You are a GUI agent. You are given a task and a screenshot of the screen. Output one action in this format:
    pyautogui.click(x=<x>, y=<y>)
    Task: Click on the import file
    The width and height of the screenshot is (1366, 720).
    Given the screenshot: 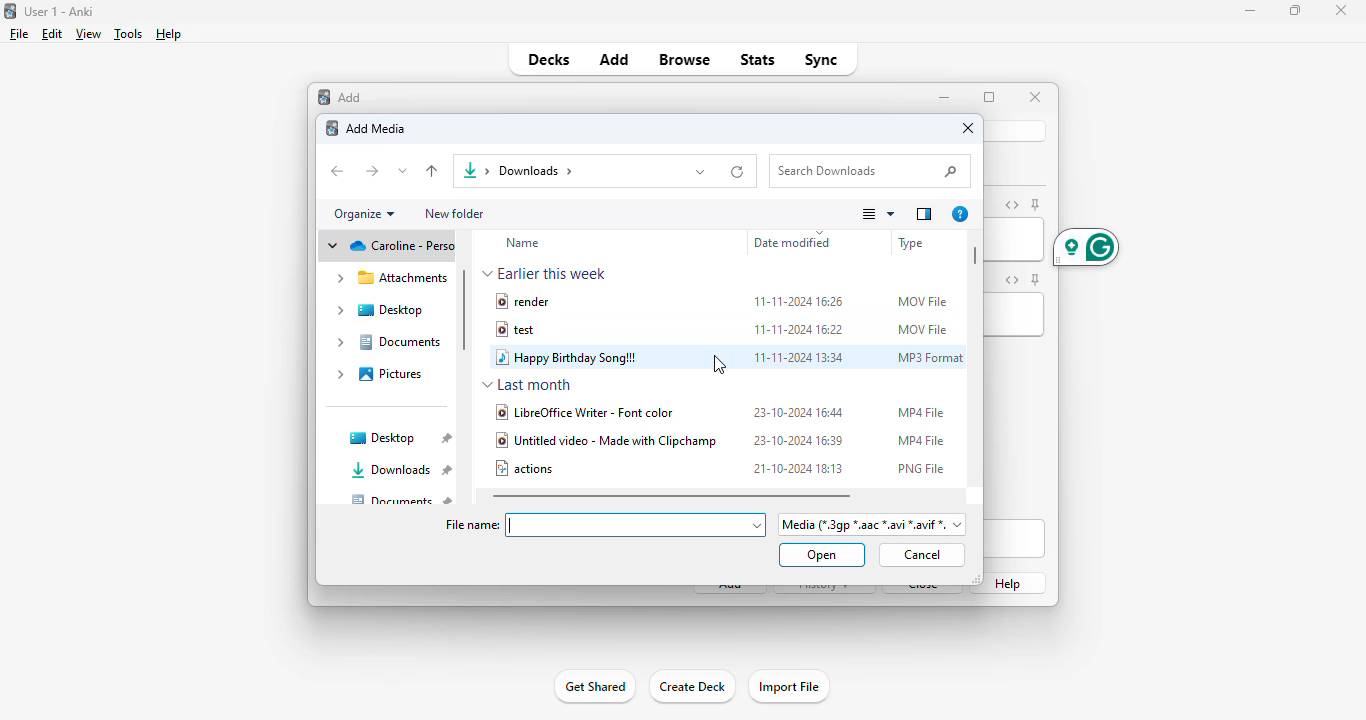 What is the action you would take?
    pyautogui.click(x=787, y=687)
    